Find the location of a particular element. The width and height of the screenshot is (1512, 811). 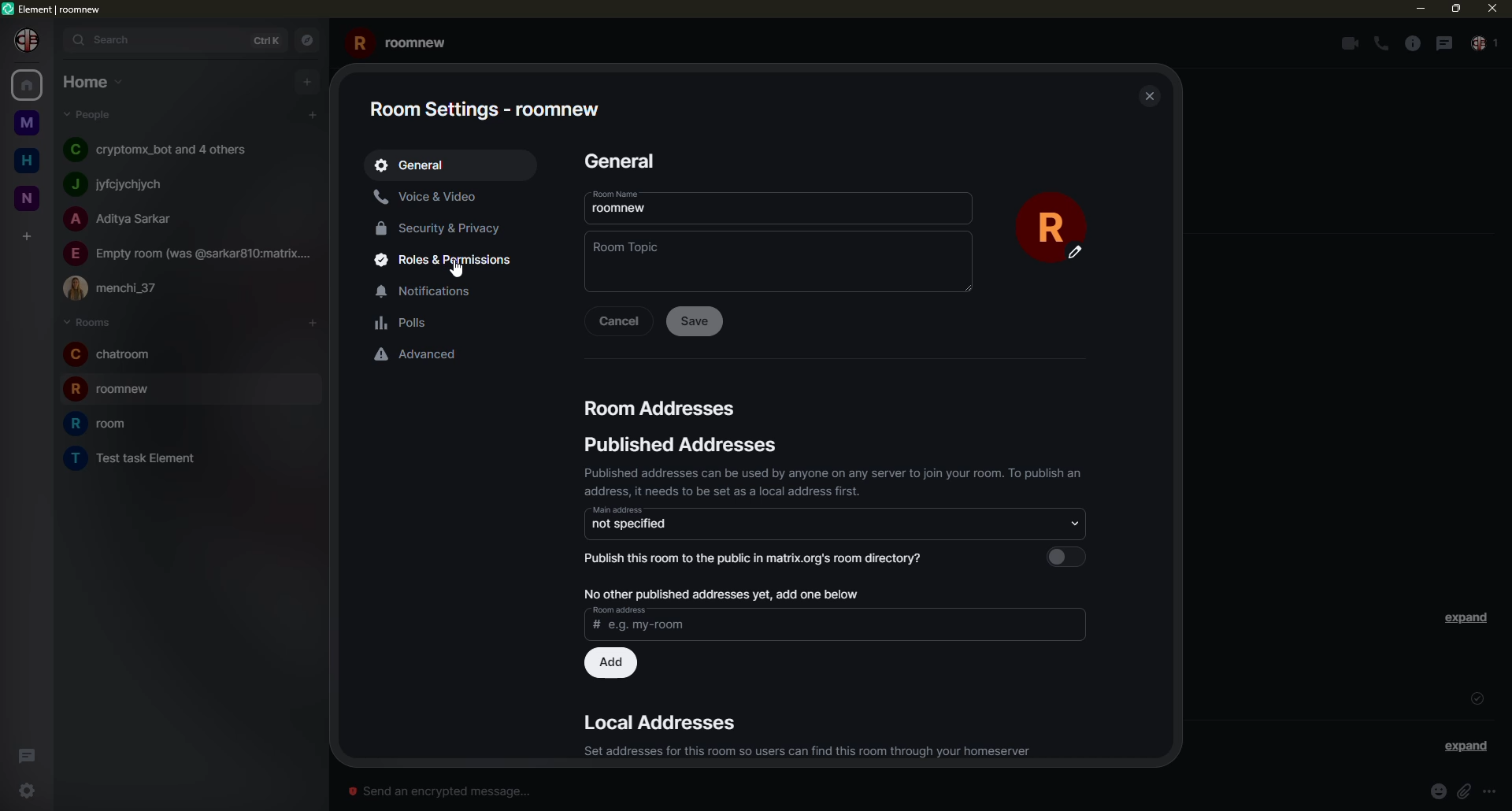

add is located at coordinates (29, 235).